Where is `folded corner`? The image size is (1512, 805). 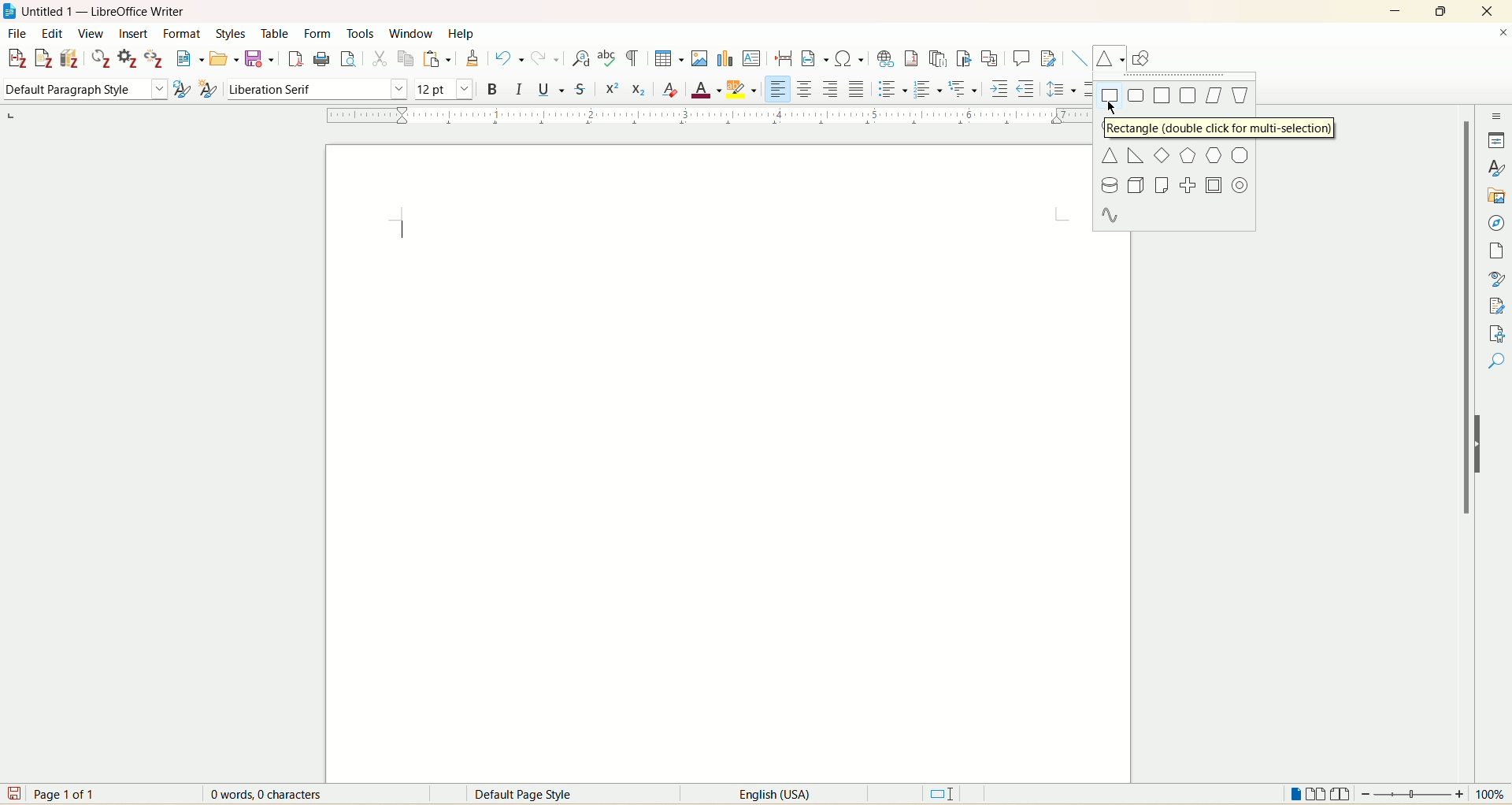
folded corner is located at coordinates (1160, 185).